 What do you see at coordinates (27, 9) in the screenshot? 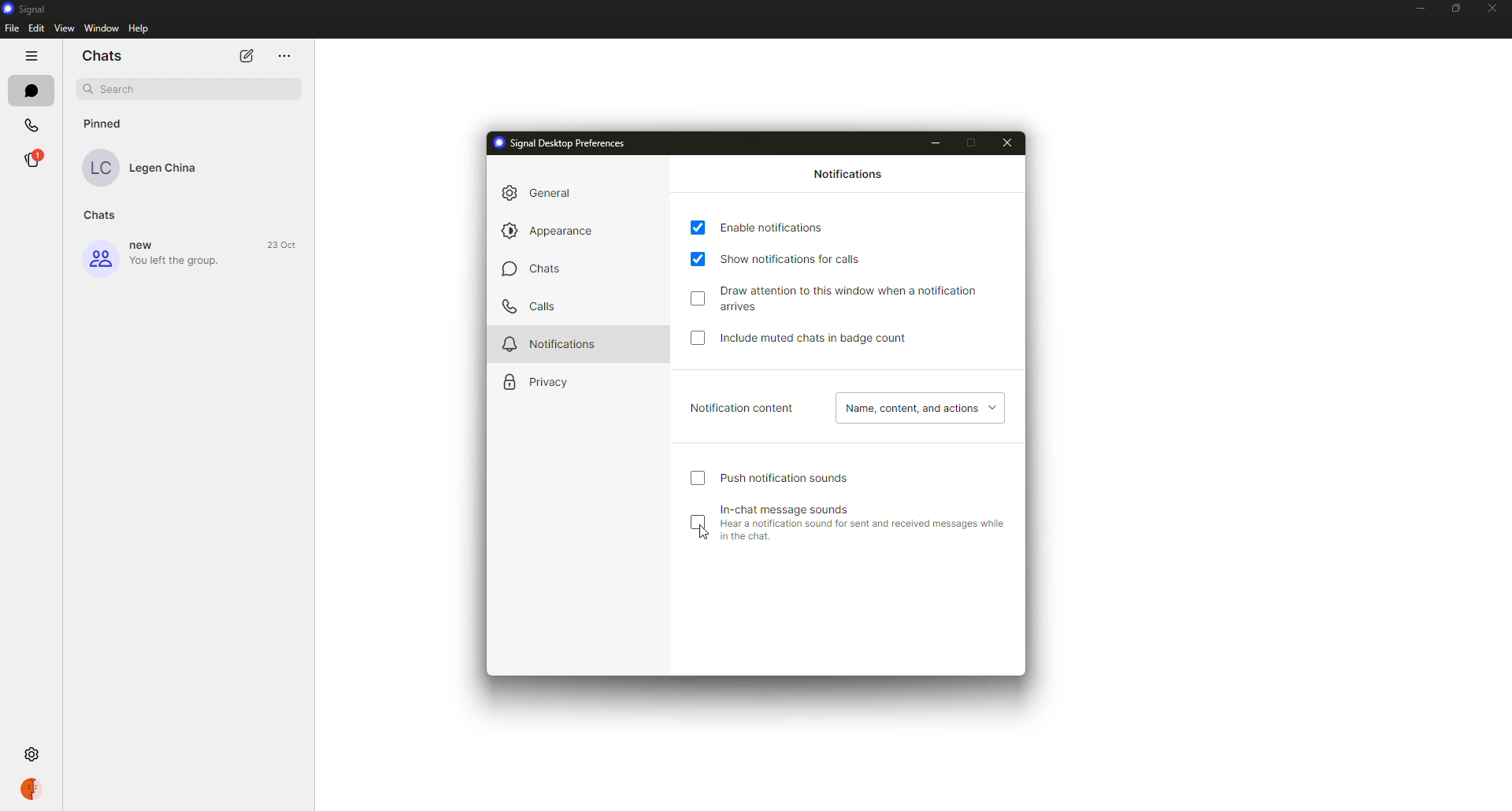
I see `Signal` at bounding box center [27, 9].